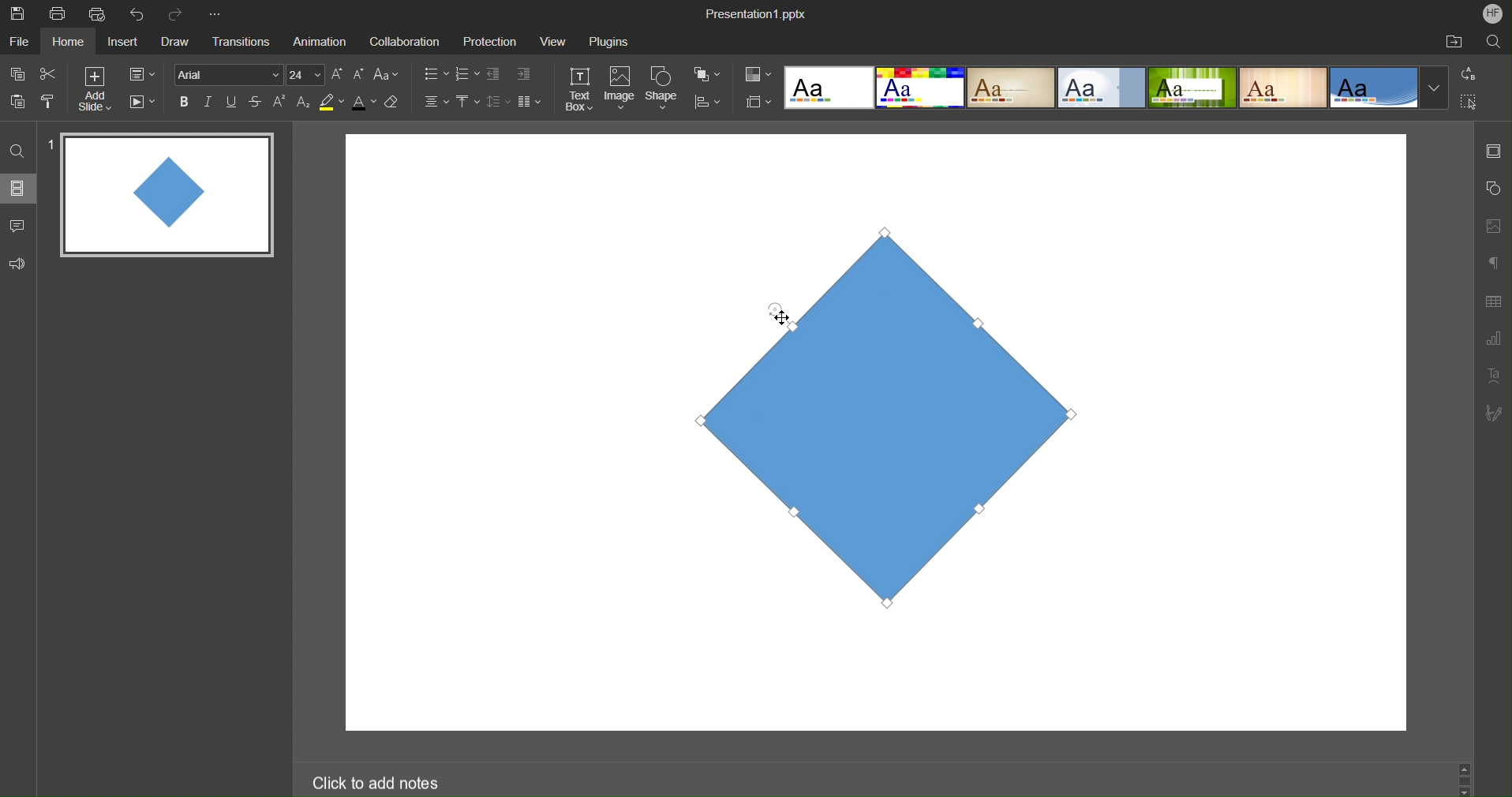 This screenshot has width=1512, height=797. I want to click on Text Color, so click(364, 102).